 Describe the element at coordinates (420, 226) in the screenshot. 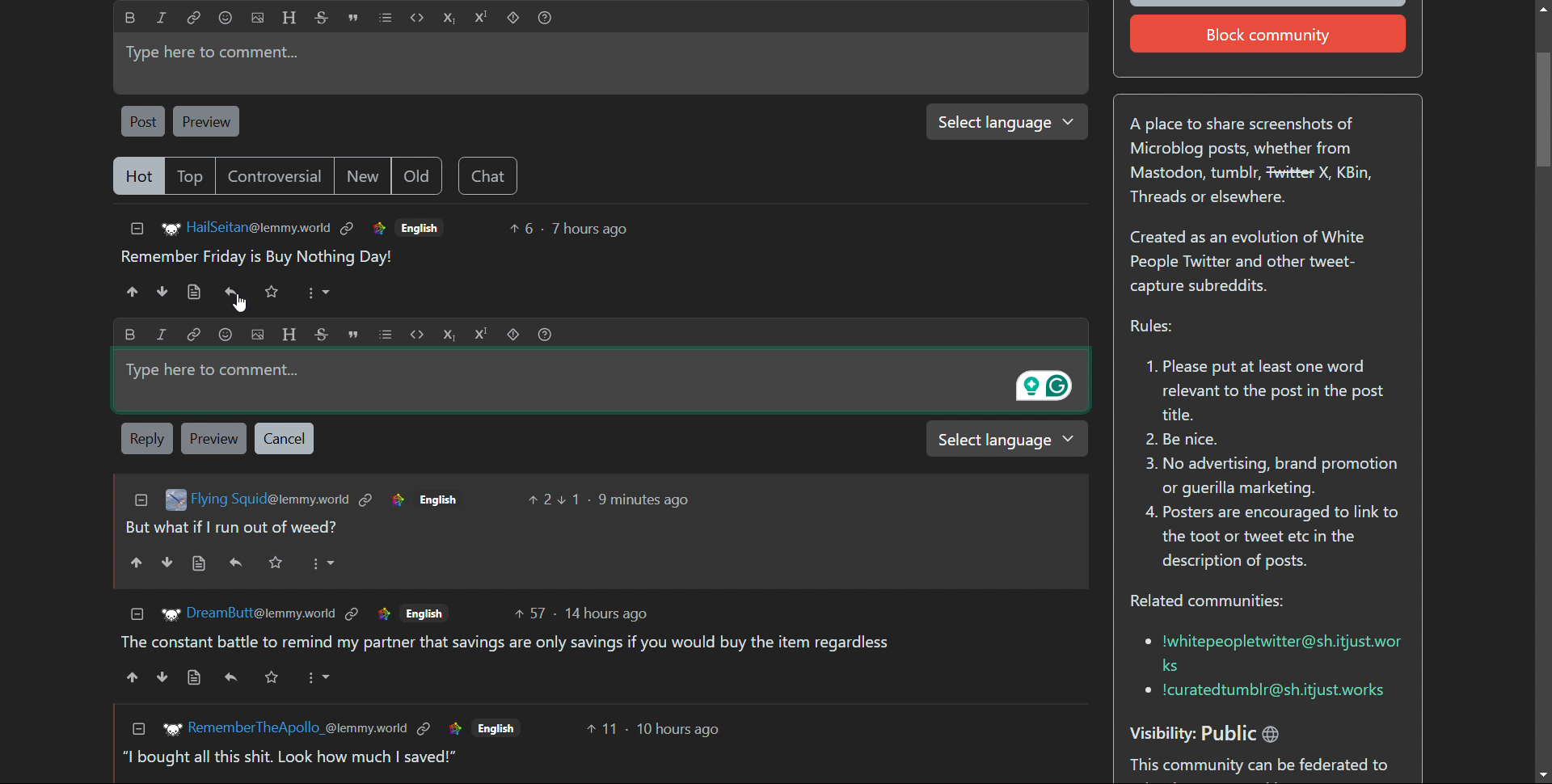

I see `language` at that location.